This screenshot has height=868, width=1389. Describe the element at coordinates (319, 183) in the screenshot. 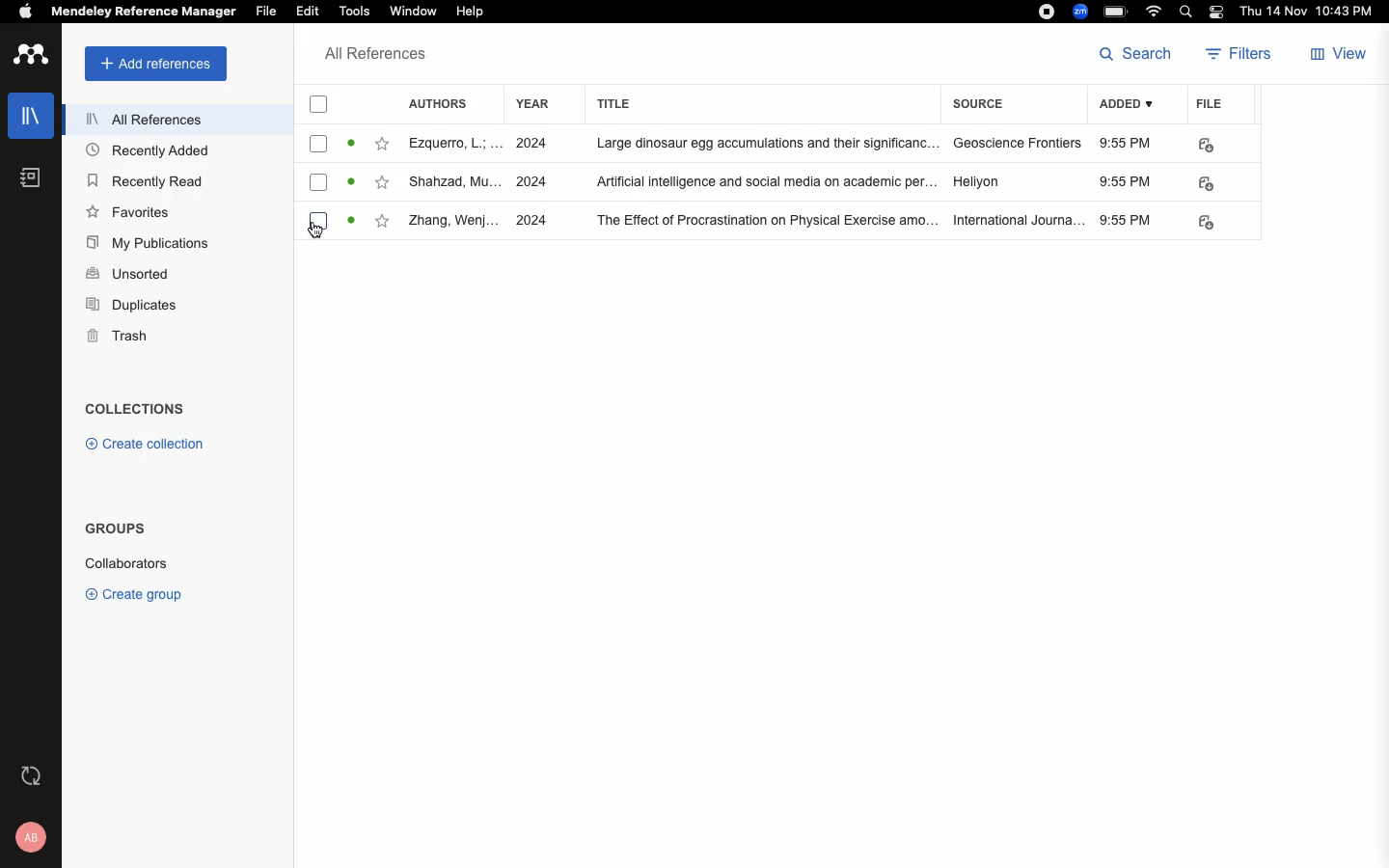

I see `checkbox` at that location.